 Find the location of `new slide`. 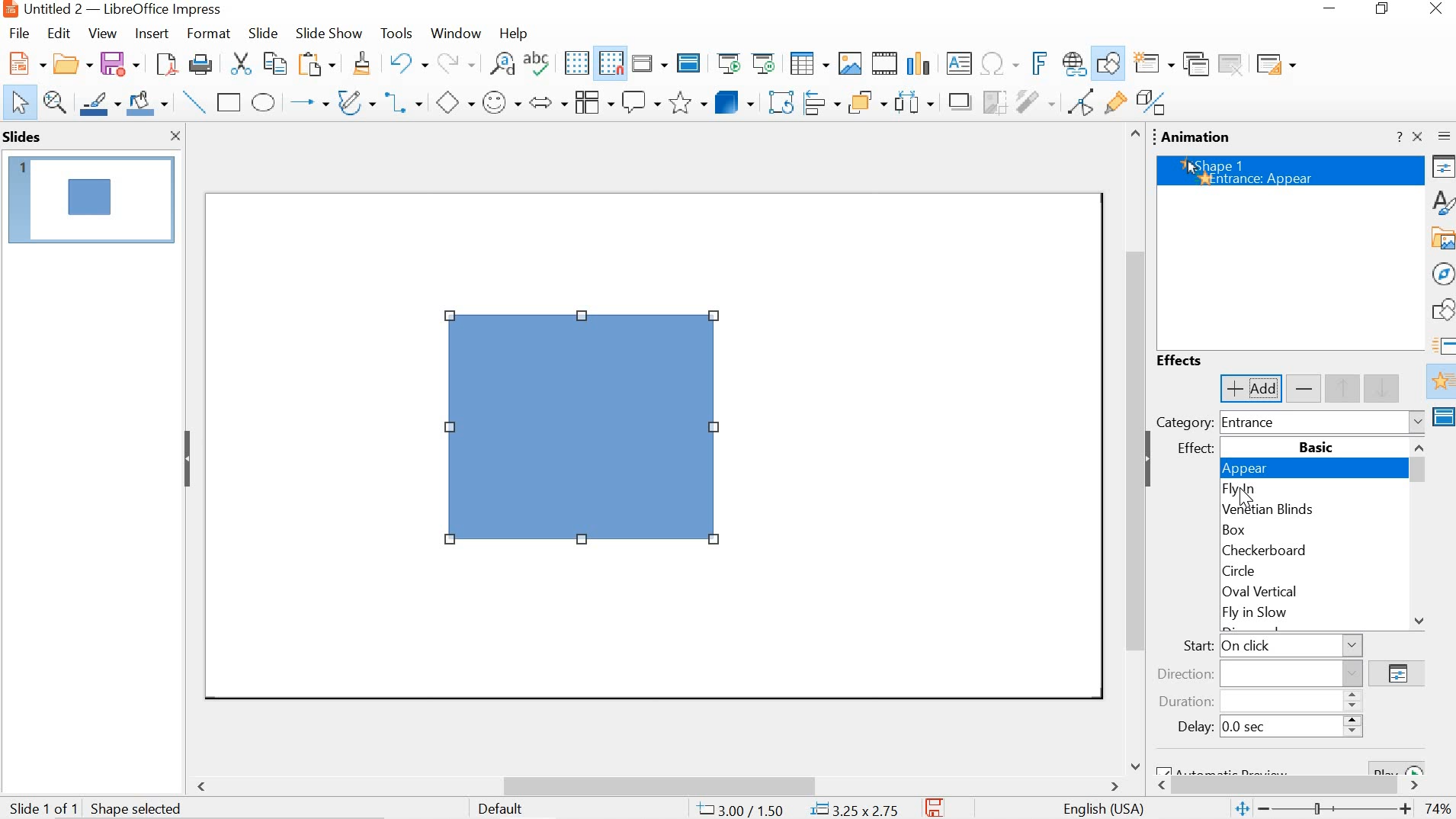

new slide is located at coordinates (1150, 63).